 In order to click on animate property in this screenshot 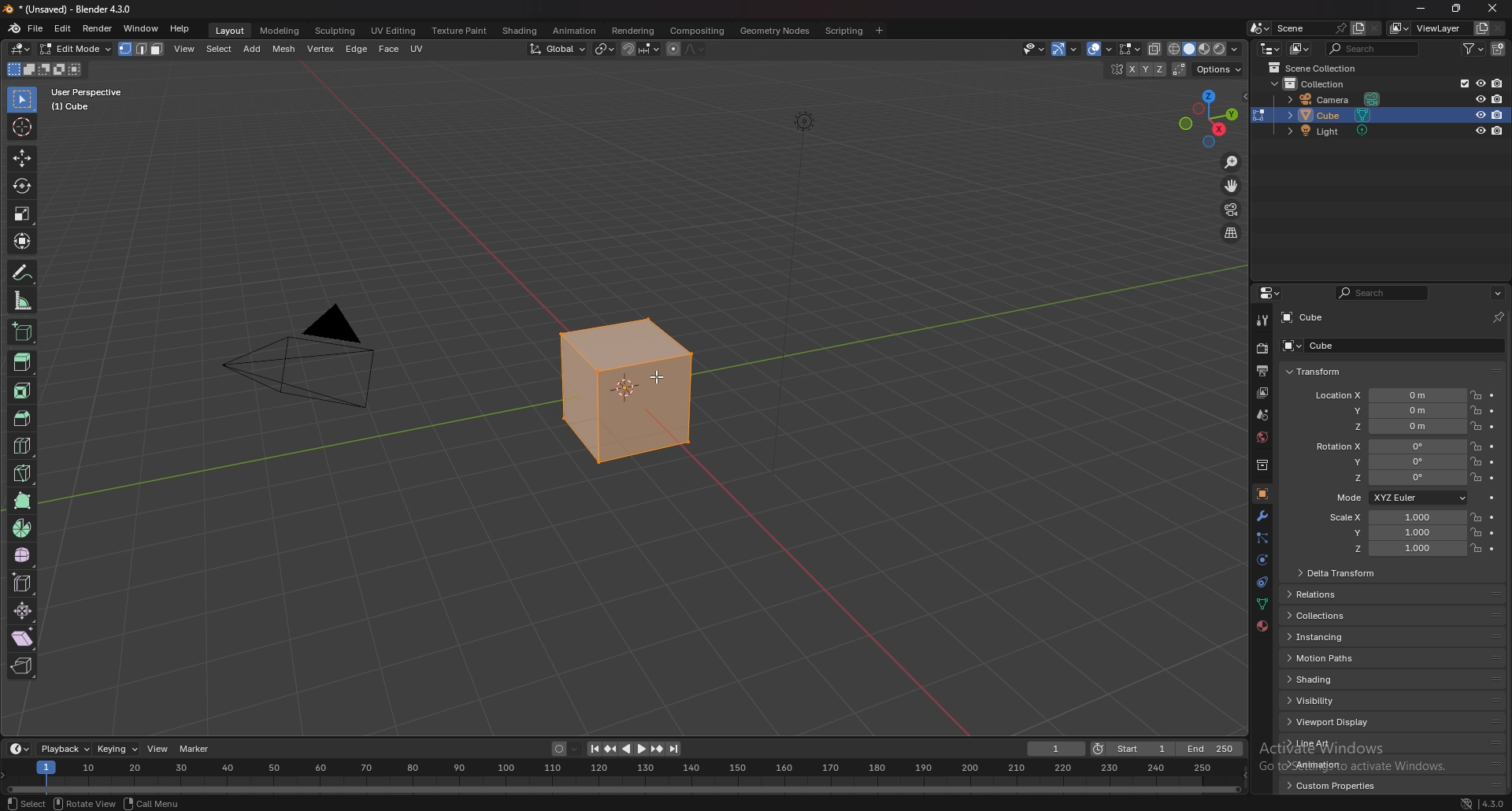, I will do `click(1493, 532)`.